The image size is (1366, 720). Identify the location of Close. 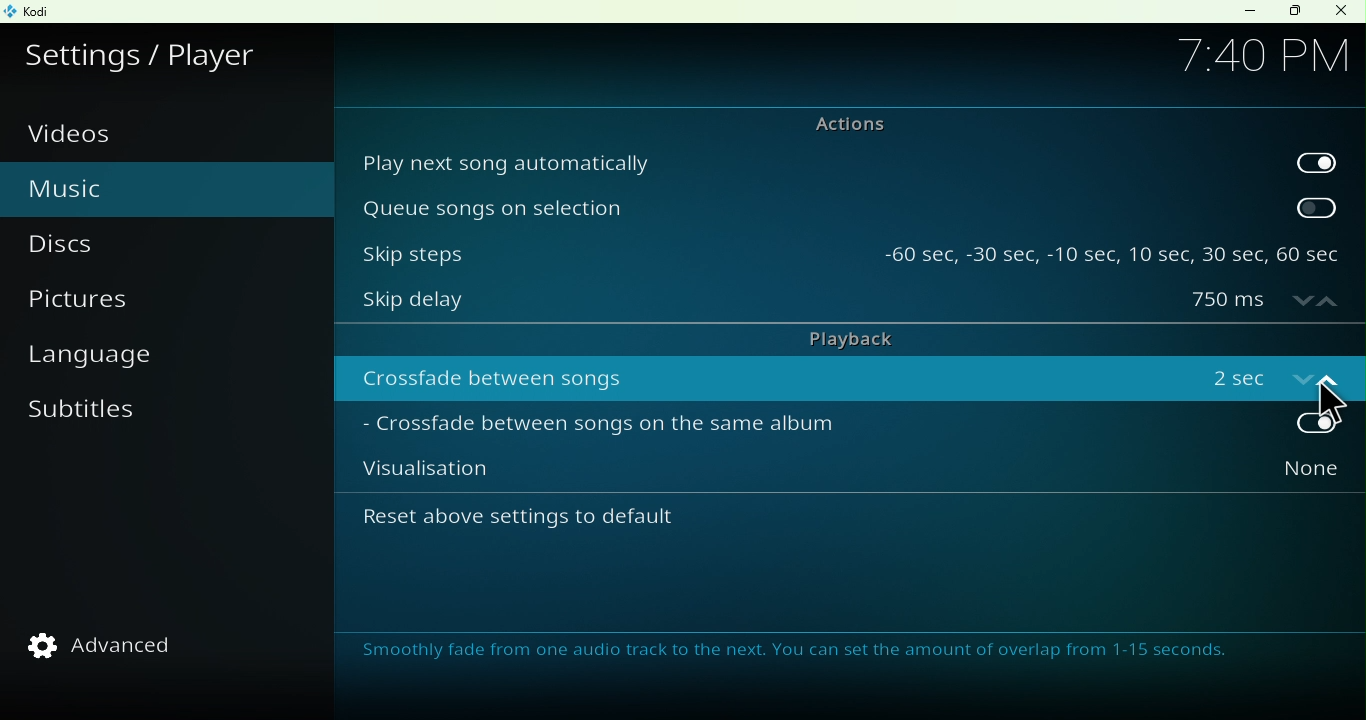
(1340, 12).